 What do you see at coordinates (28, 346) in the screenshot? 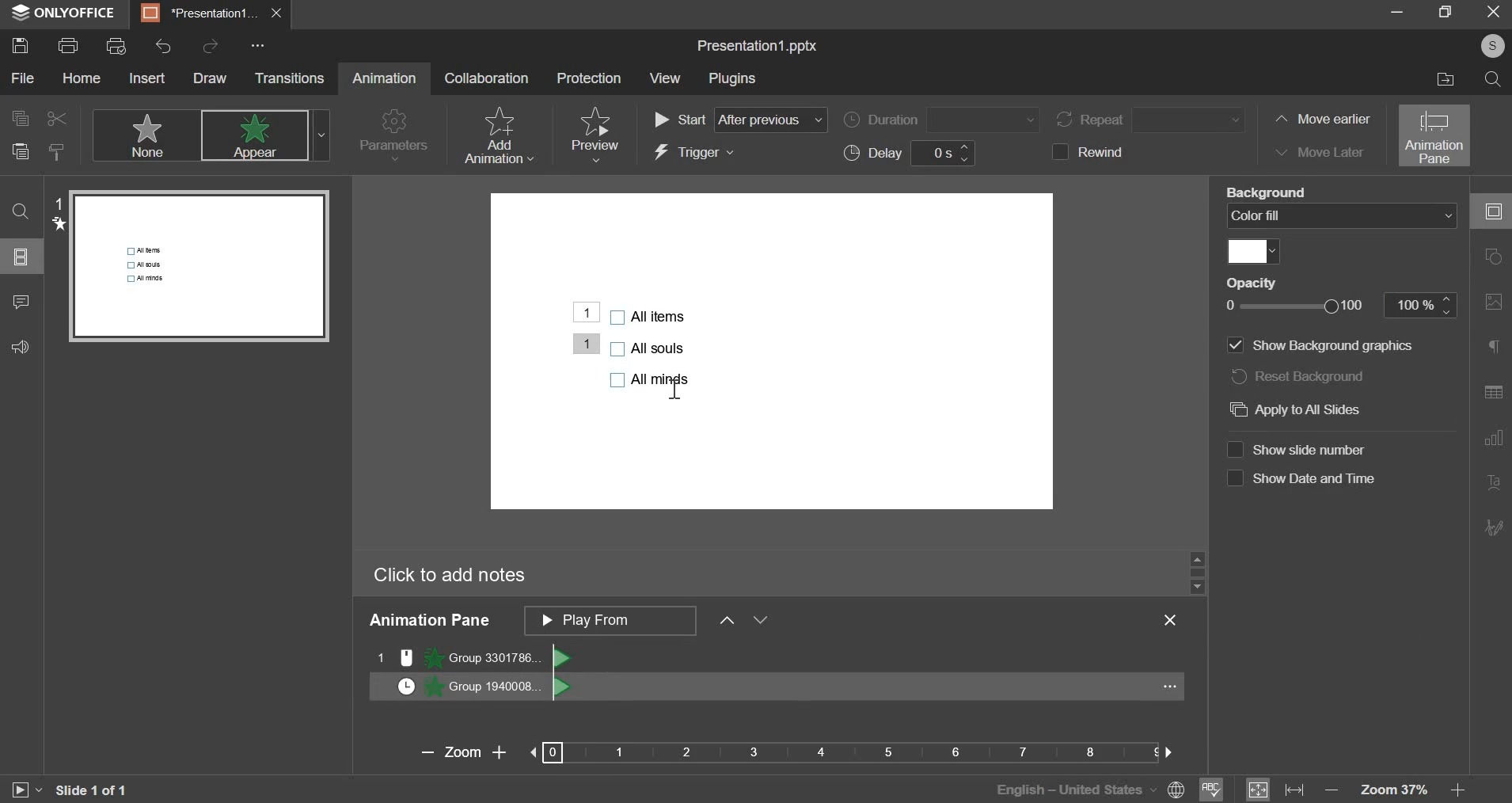
I see `feedback` at bounding box center [28, 346].